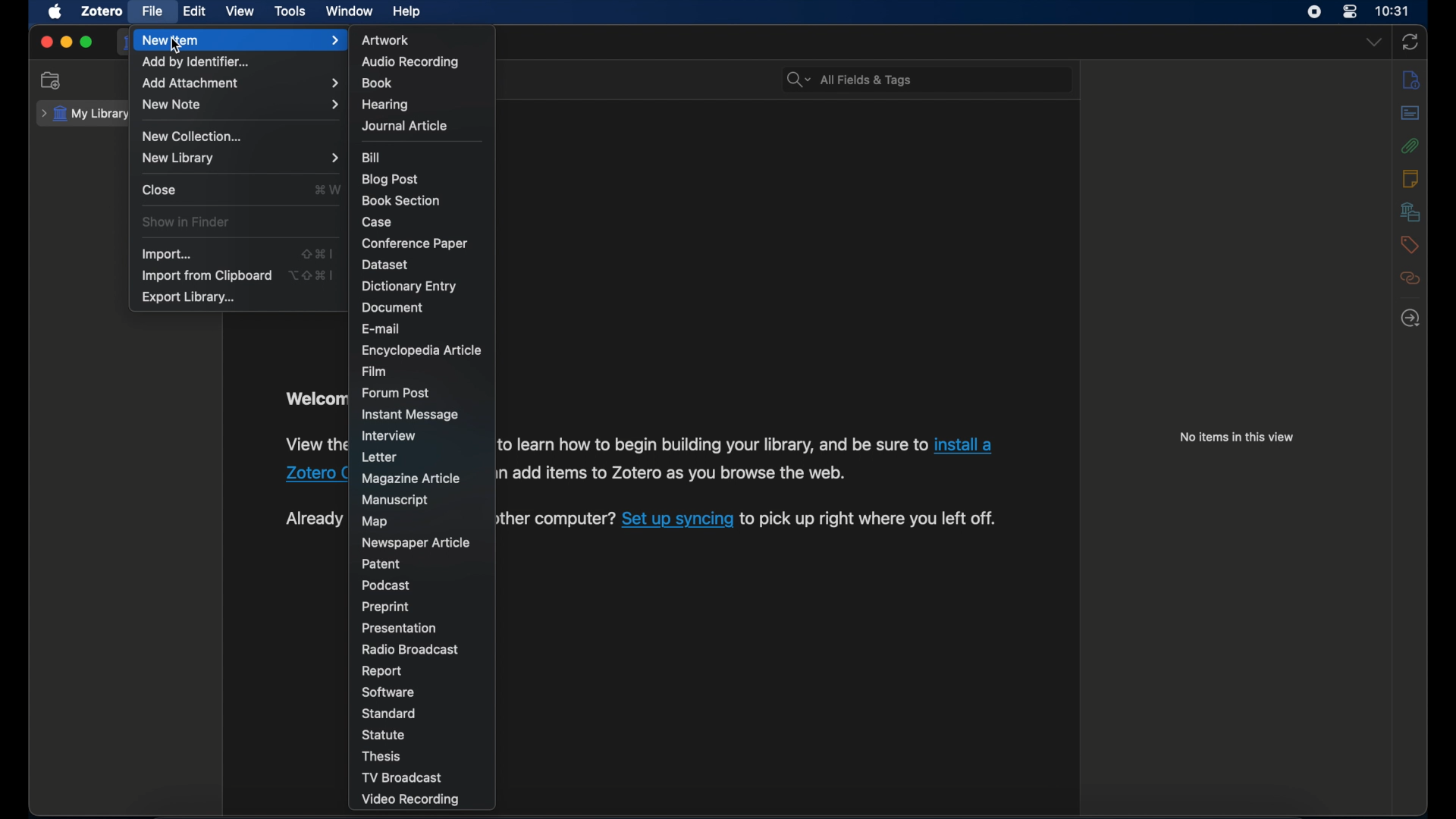 The width and height of the screenshot is (1456, 819). What do you see at coordinates (713, 444) in the screenshot?
I see `` at bounding box center [713, 444].